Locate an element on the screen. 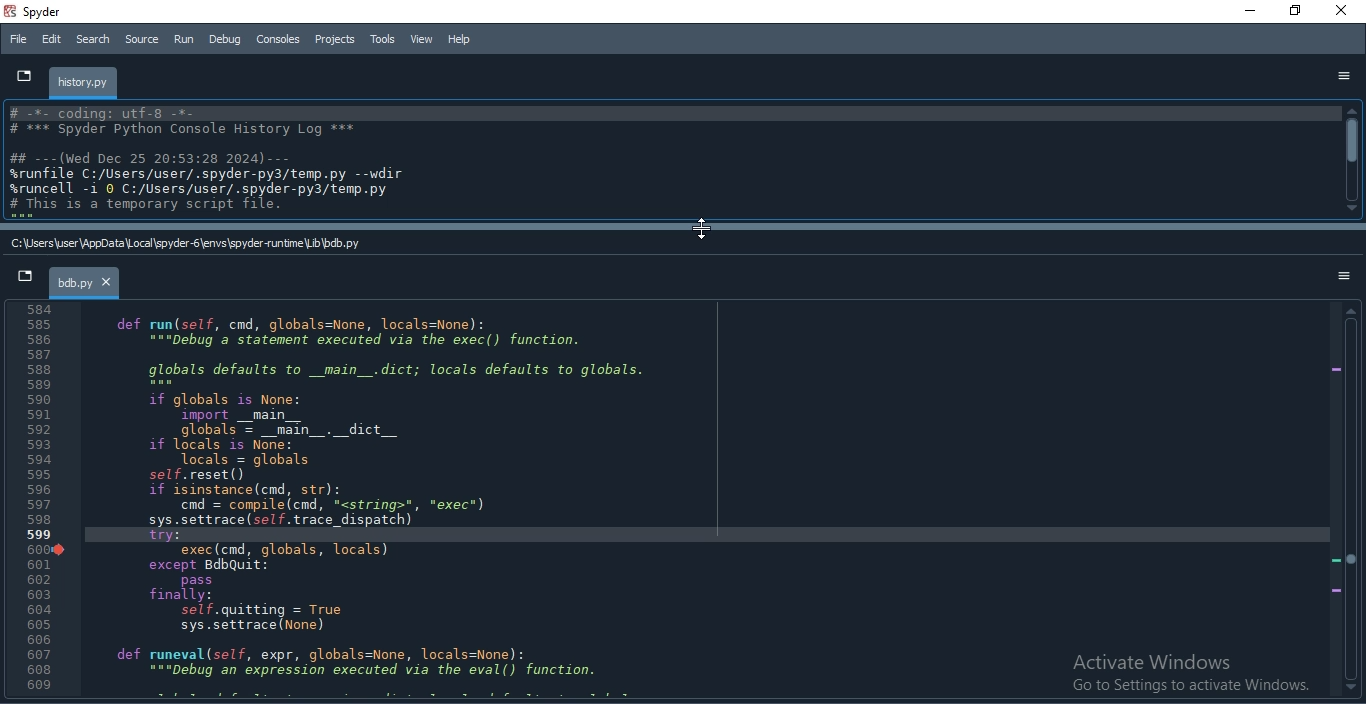 This screenshot has width=1366, height=704. Scrollbar is located at coordinates (1353, 160).